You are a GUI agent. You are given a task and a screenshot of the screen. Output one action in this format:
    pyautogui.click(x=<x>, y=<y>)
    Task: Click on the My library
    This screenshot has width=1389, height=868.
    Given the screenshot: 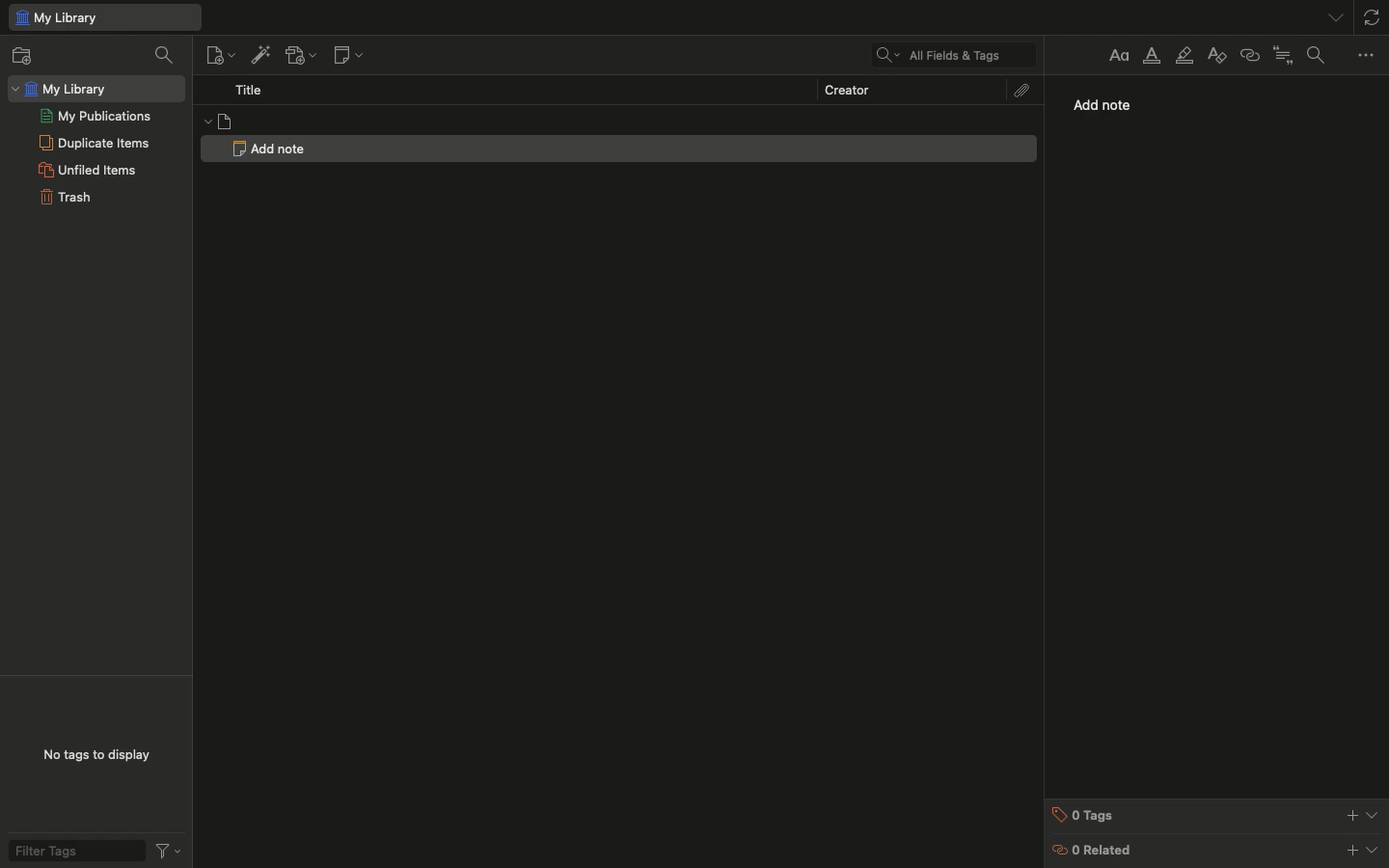 What is the action you would take?
    pyautogui.click(x=95, y=88)
    